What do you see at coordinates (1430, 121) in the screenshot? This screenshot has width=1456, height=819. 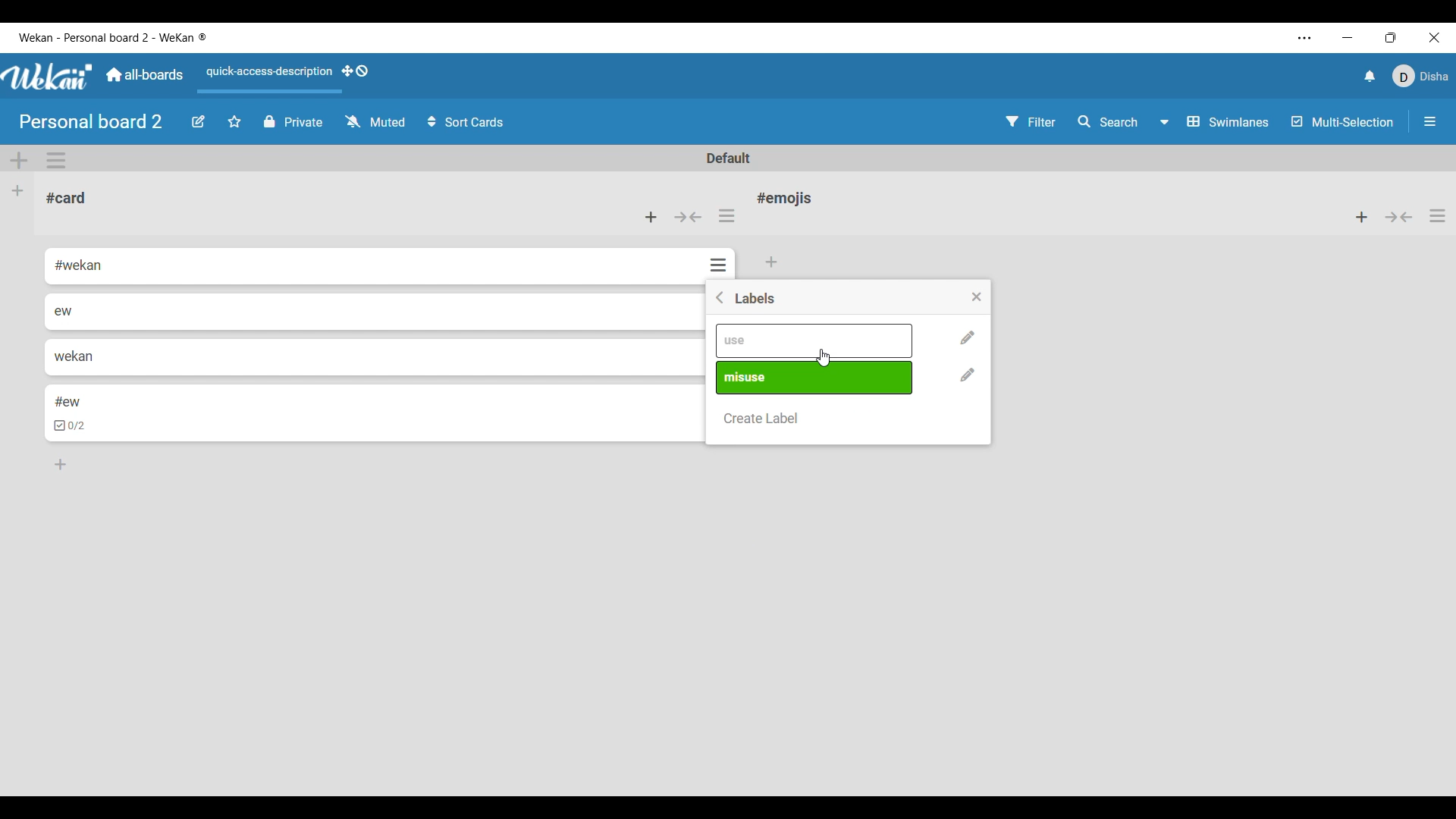 I see `Open/Close sidebar` at bounding box center [1430, 121].